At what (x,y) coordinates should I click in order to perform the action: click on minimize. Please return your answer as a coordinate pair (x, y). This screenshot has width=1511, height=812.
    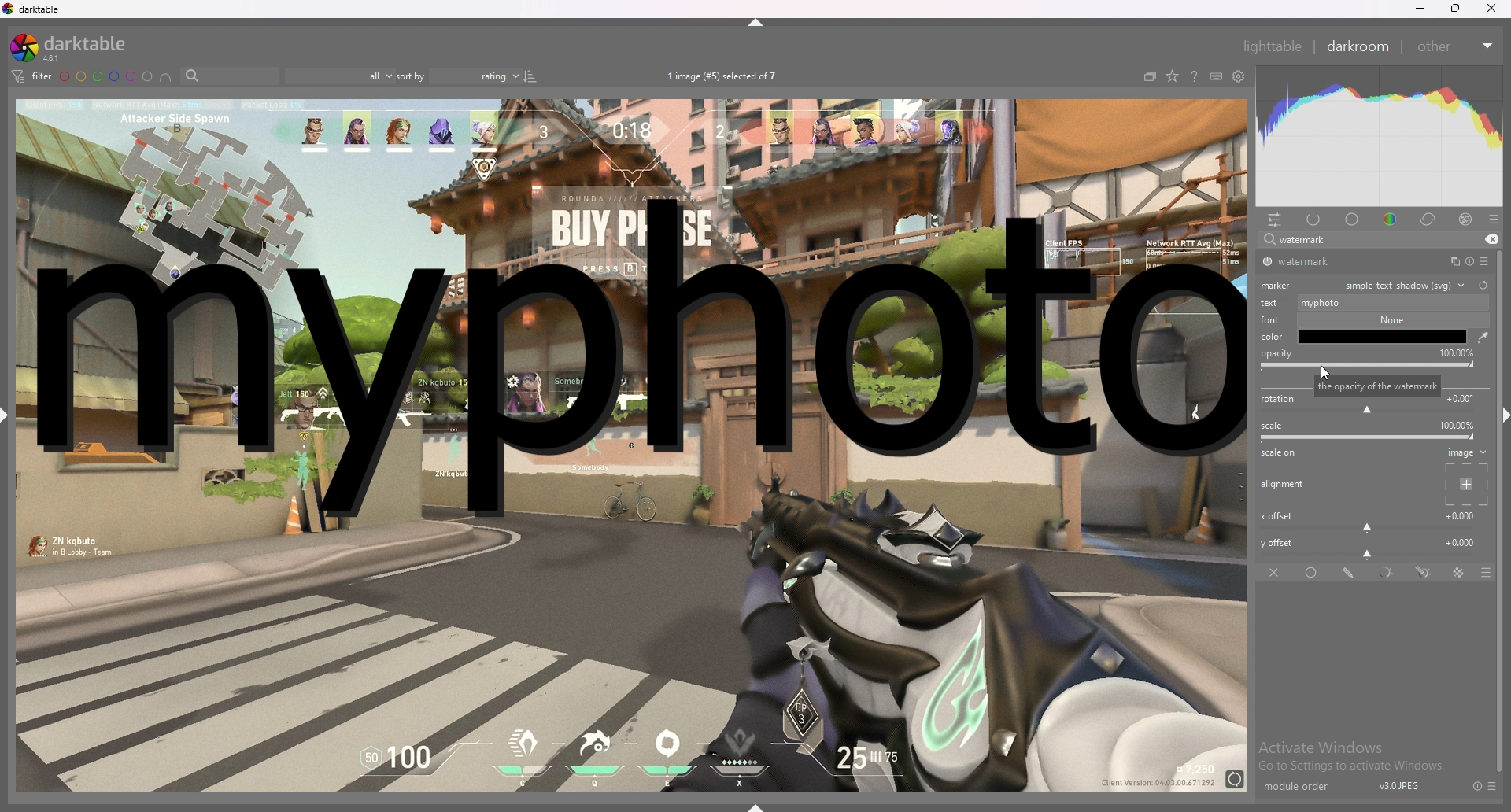
    Looking at the image, I should click on (1420, 9).